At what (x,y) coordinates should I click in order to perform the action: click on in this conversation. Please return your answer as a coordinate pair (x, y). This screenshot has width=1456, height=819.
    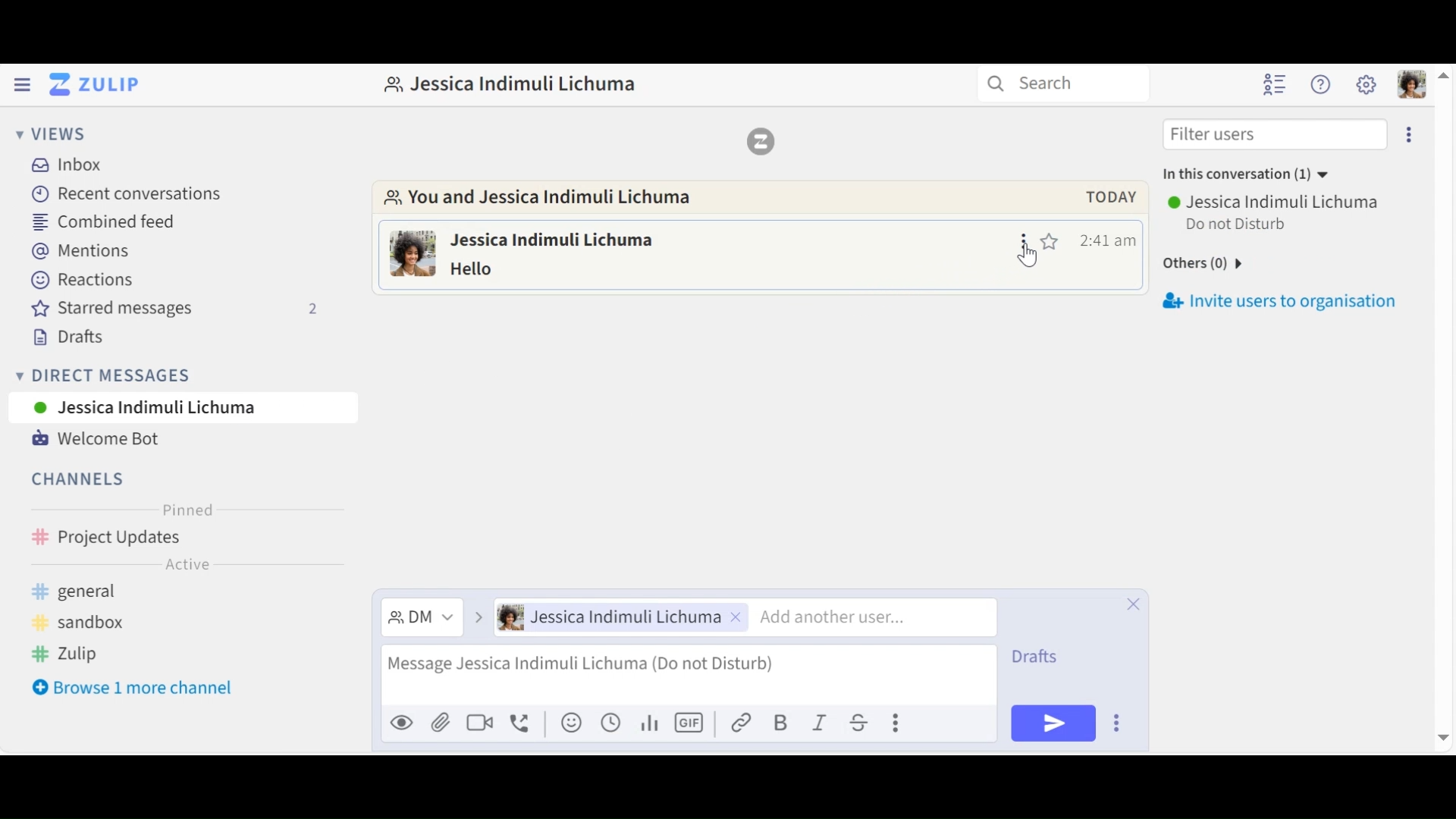
    Looking at the image, I should click on (1241, 177).